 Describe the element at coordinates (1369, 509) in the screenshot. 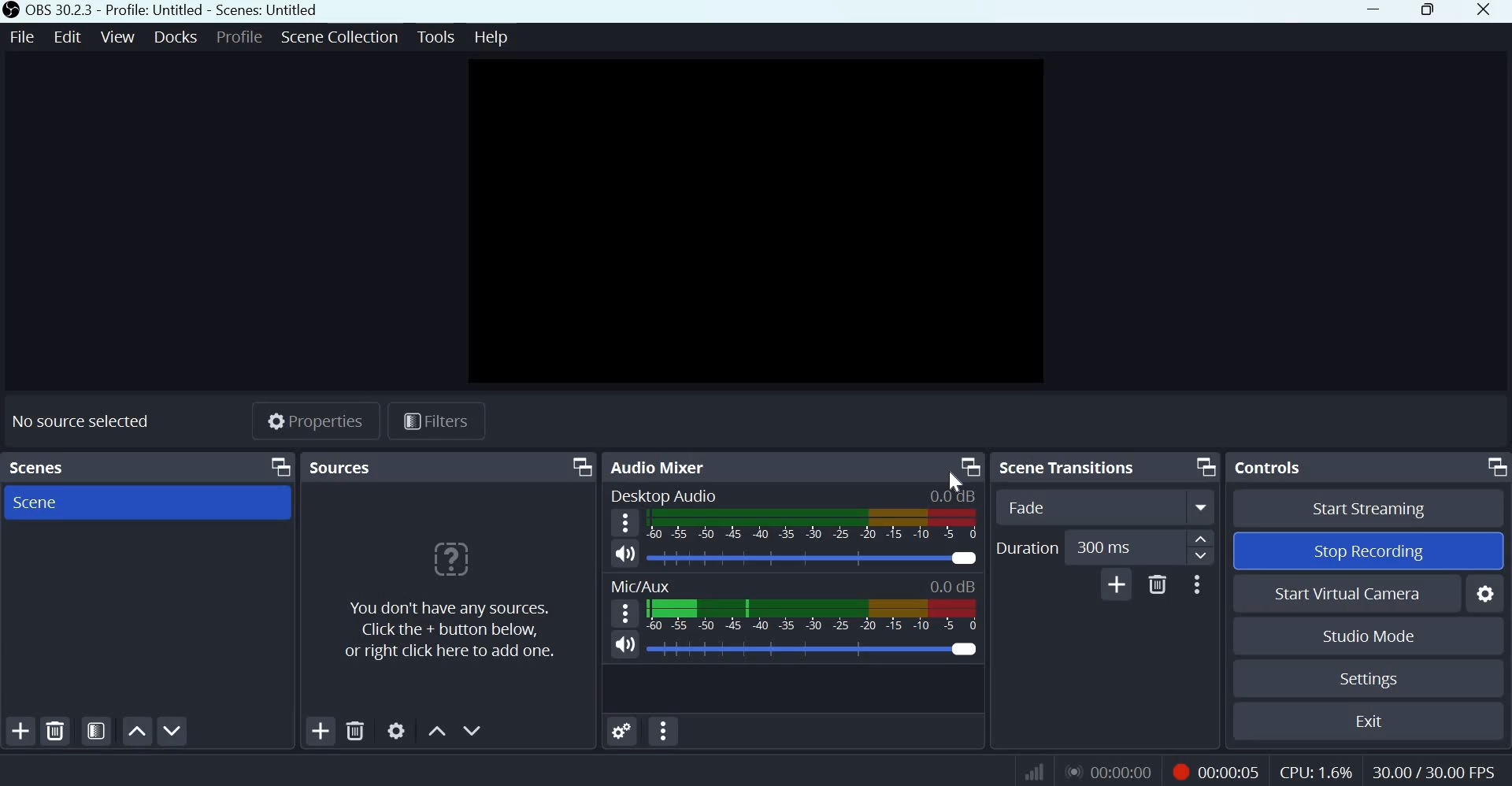

I see `Start Streaming` at that location.